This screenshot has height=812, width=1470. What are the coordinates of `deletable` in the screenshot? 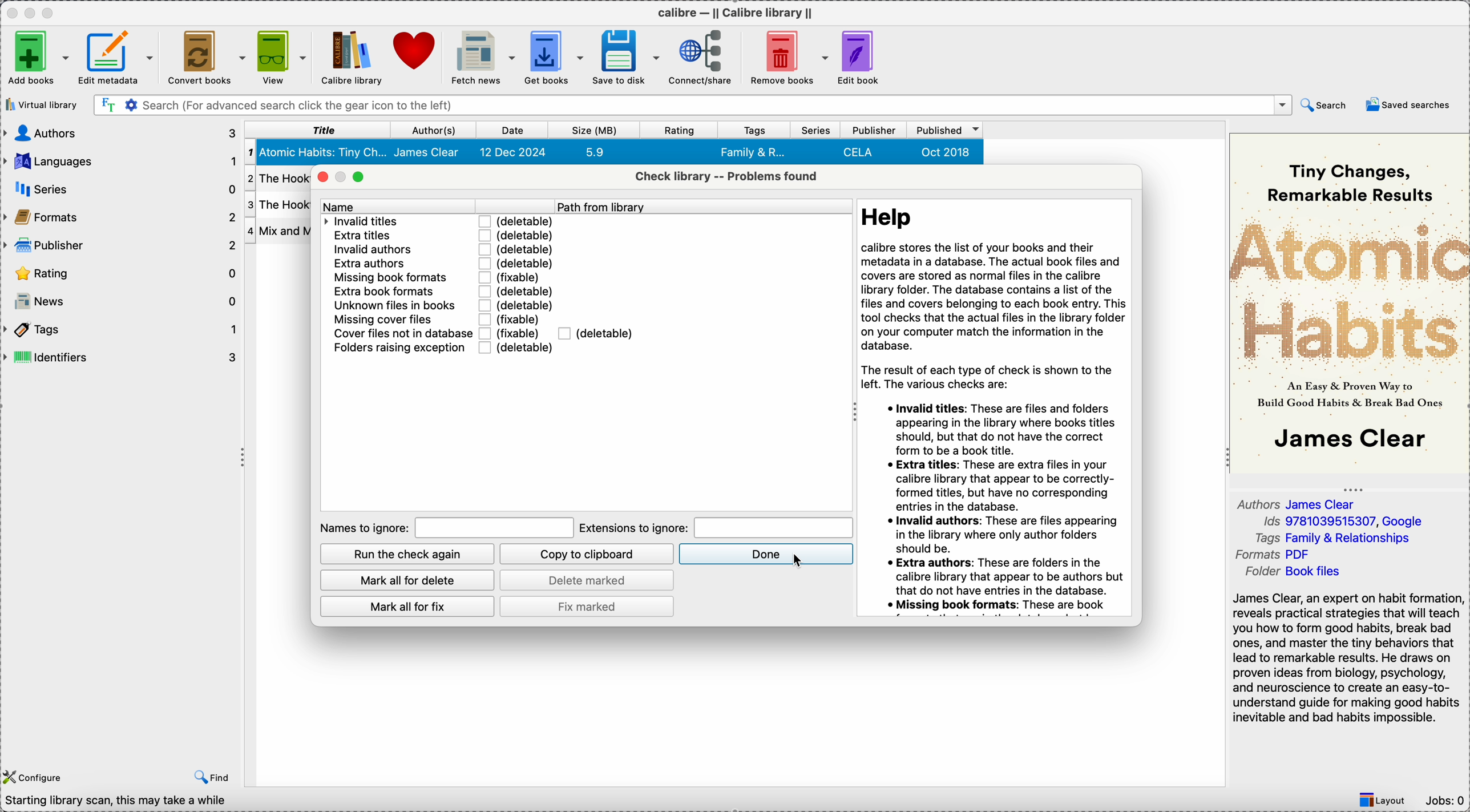 It's located at (518, 291).